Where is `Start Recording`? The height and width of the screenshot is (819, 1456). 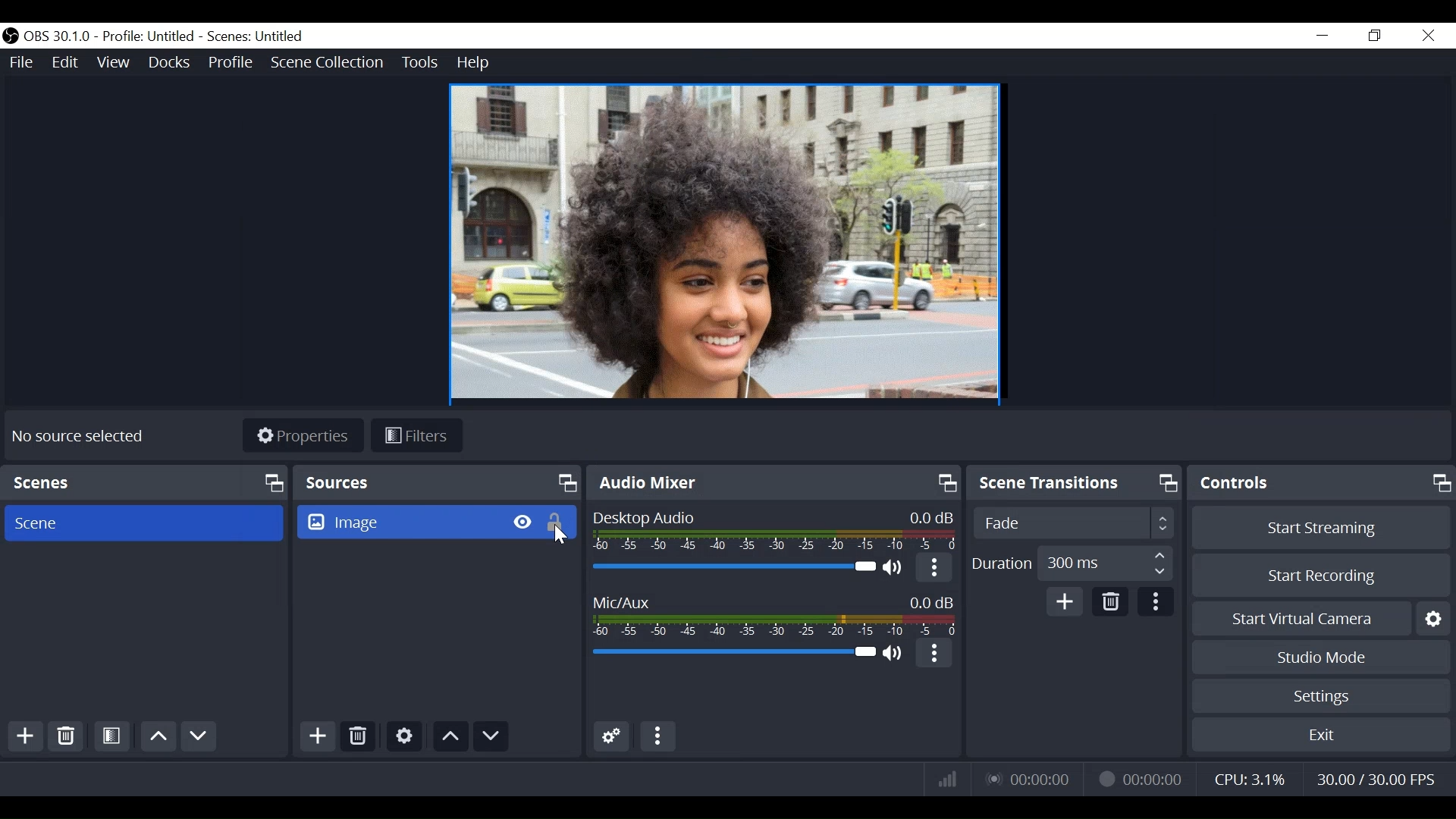
Start Recording is located at coordinates (1321, 576).